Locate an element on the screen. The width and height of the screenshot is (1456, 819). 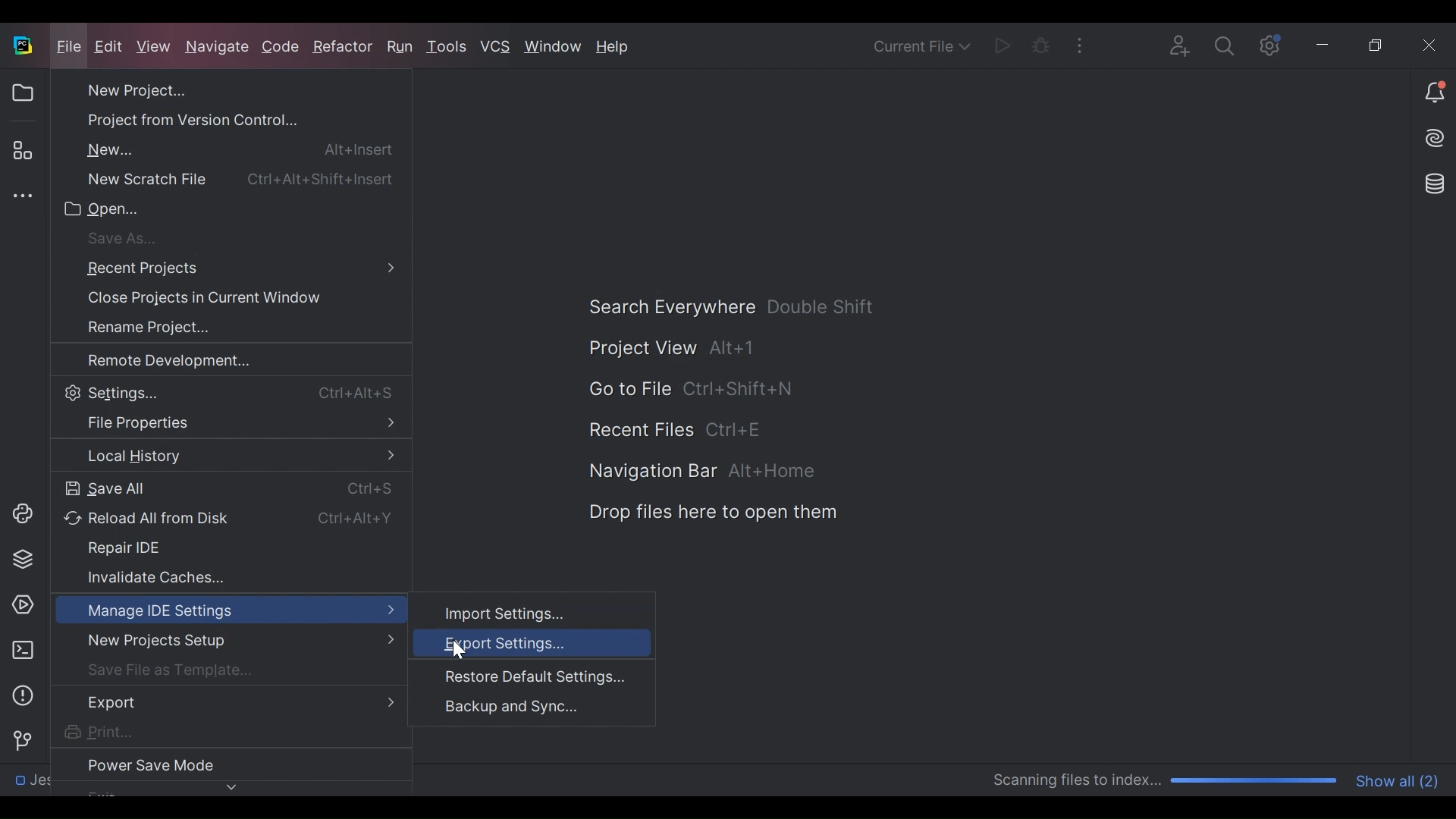
Drag files here to open them is located at coordinates (711, 512).